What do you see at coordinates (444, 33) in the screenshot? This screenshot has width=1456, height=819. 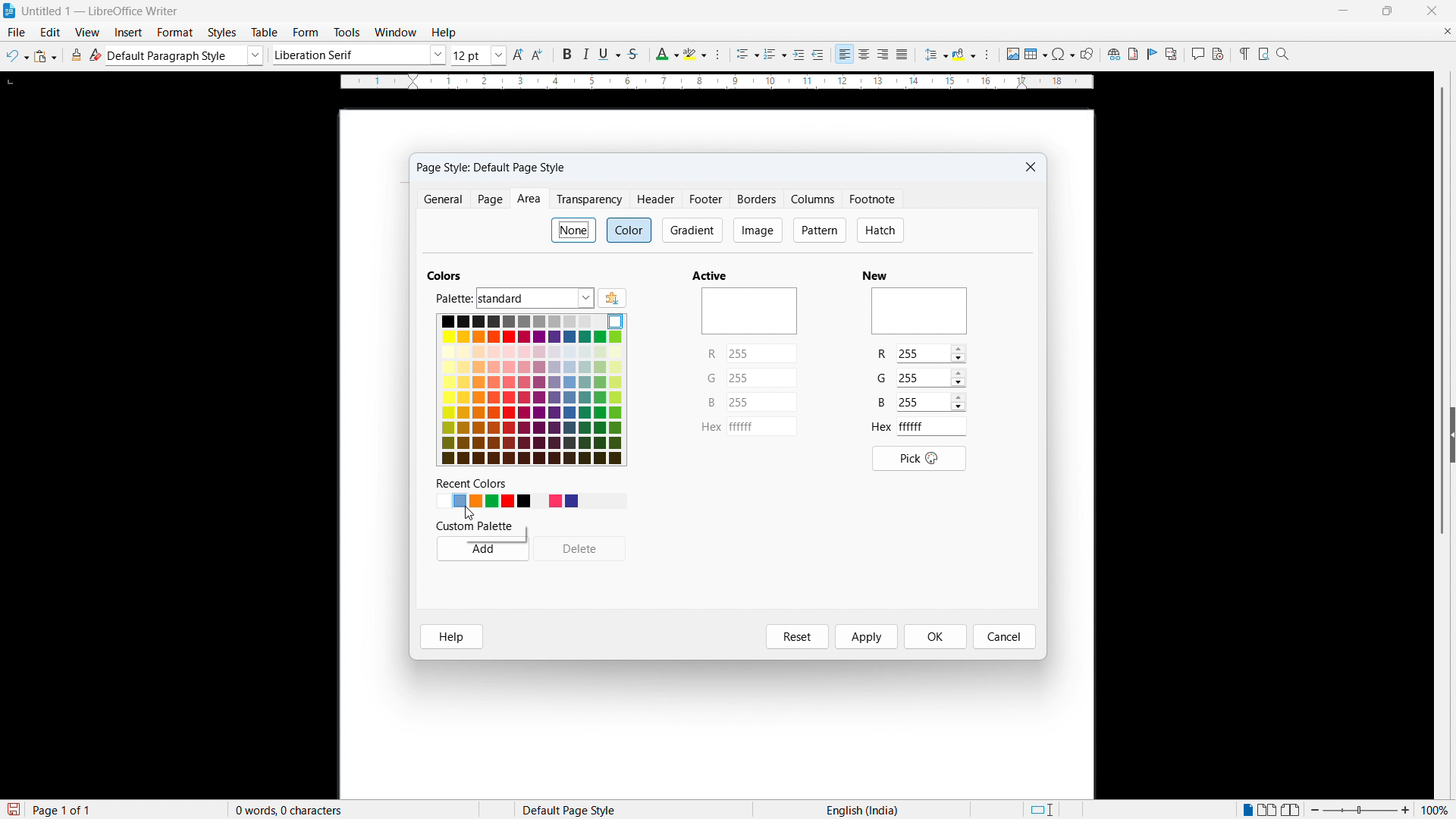 I see `help ` at bounding box center [444, 33].